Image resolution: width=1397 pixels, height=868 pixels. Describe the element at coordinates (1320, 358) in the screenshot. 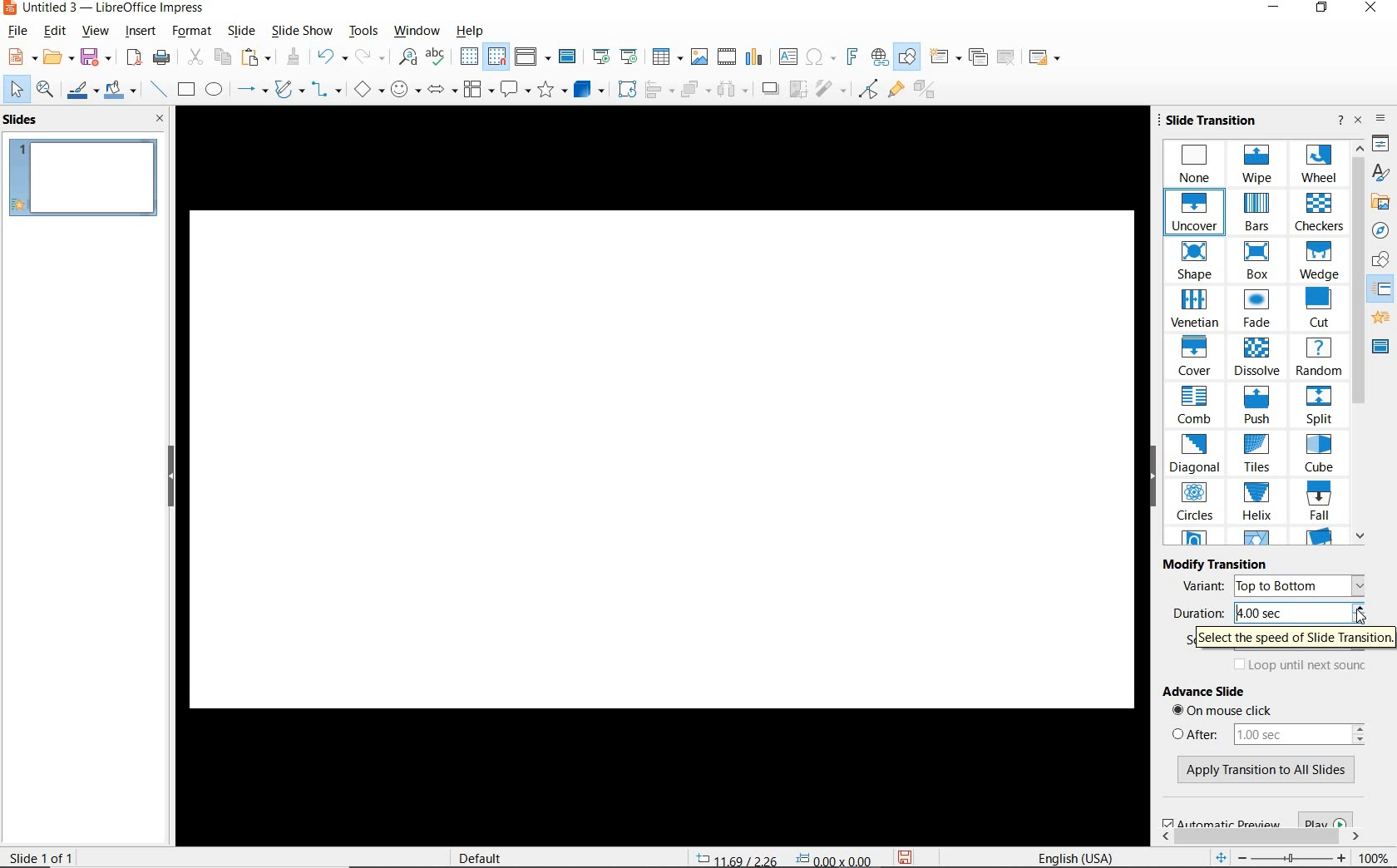

I see `RANDOM` at that location.